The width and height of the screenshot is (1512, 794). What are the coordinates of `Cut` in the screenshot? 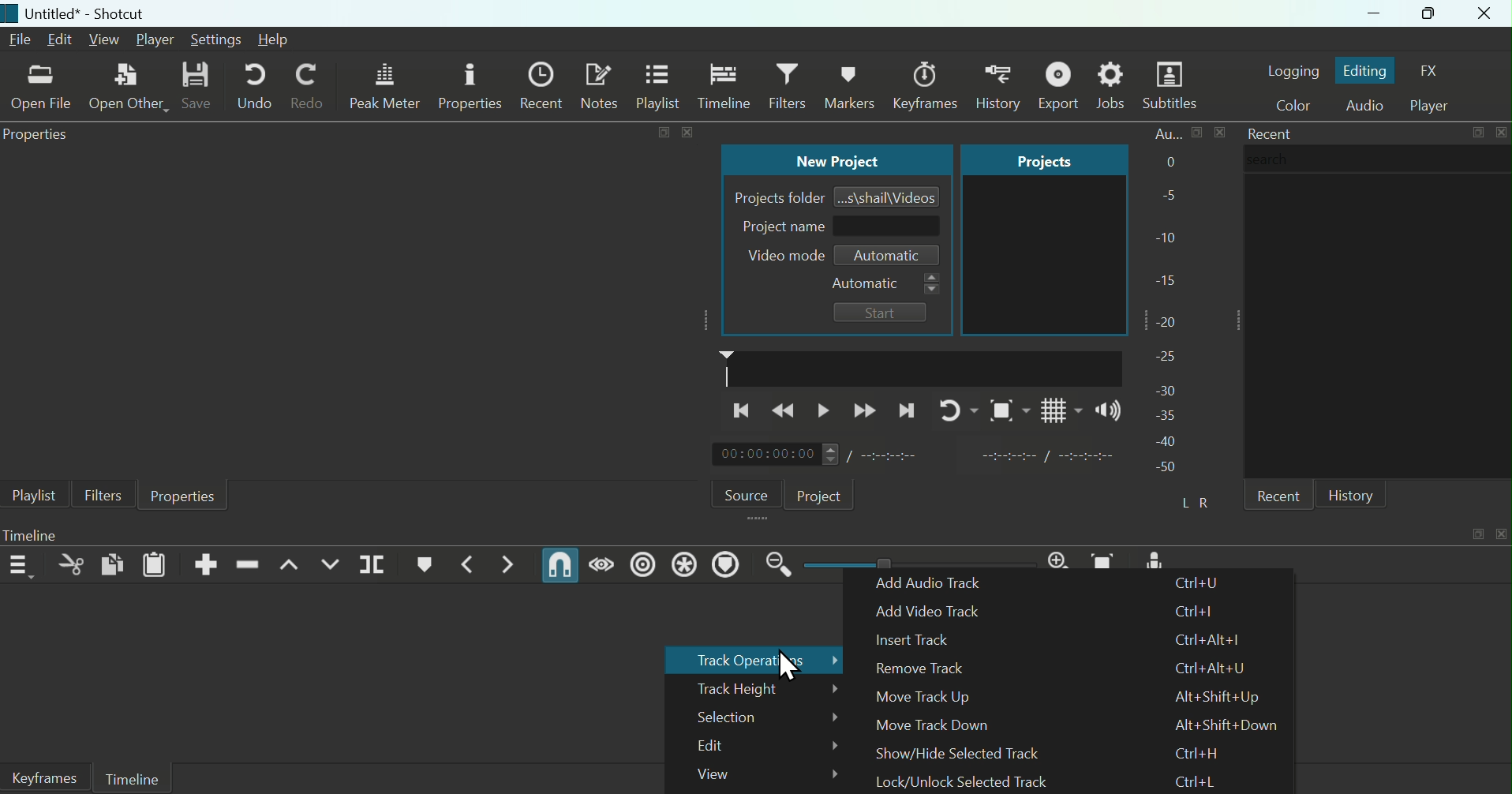 It's located at (67, 567).